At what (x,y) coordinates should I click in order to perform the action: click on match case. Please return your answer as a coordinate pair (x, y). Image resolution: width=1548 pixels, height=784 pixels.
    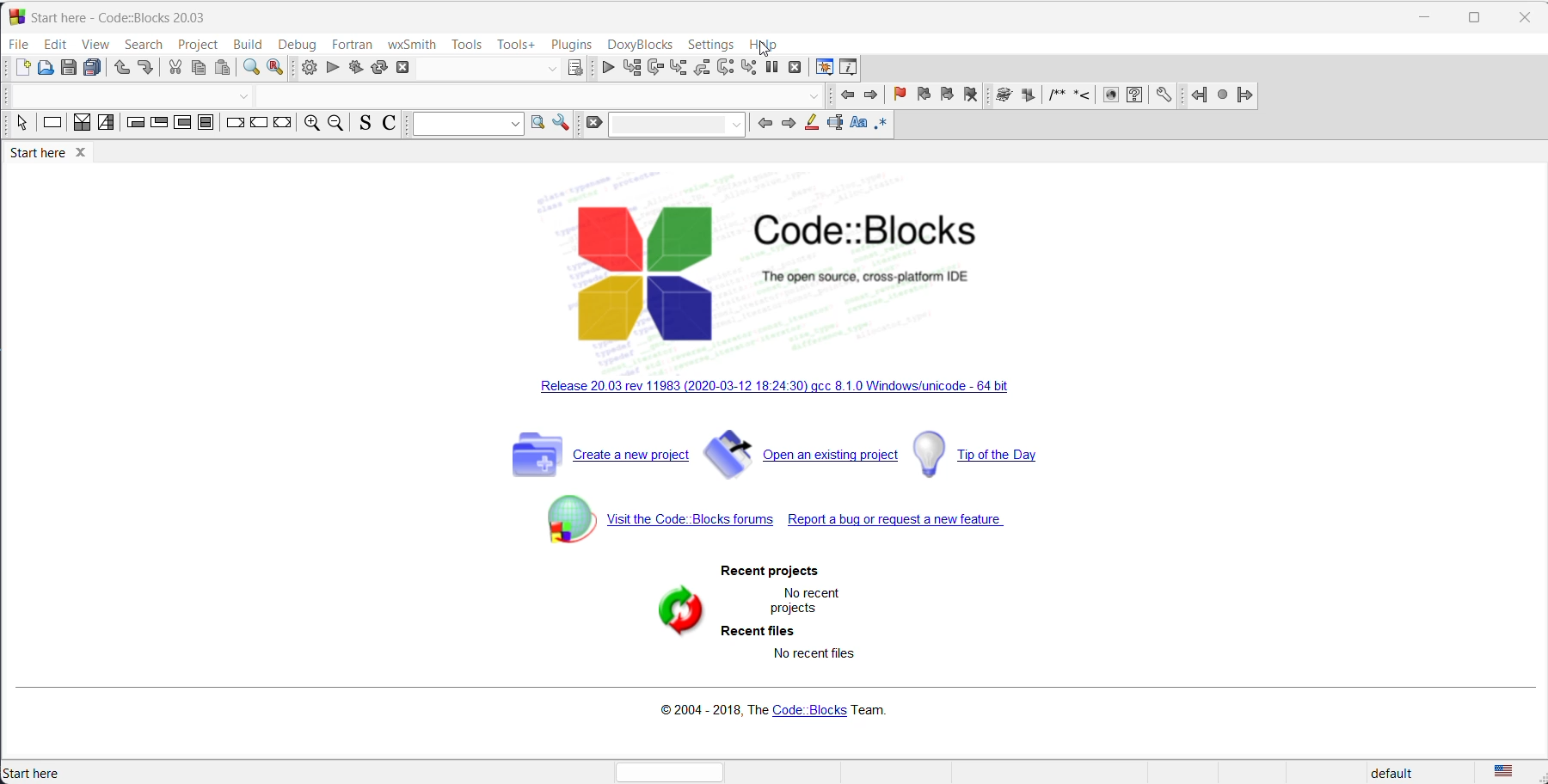
    Looking at the image, I should click on (858, 128).